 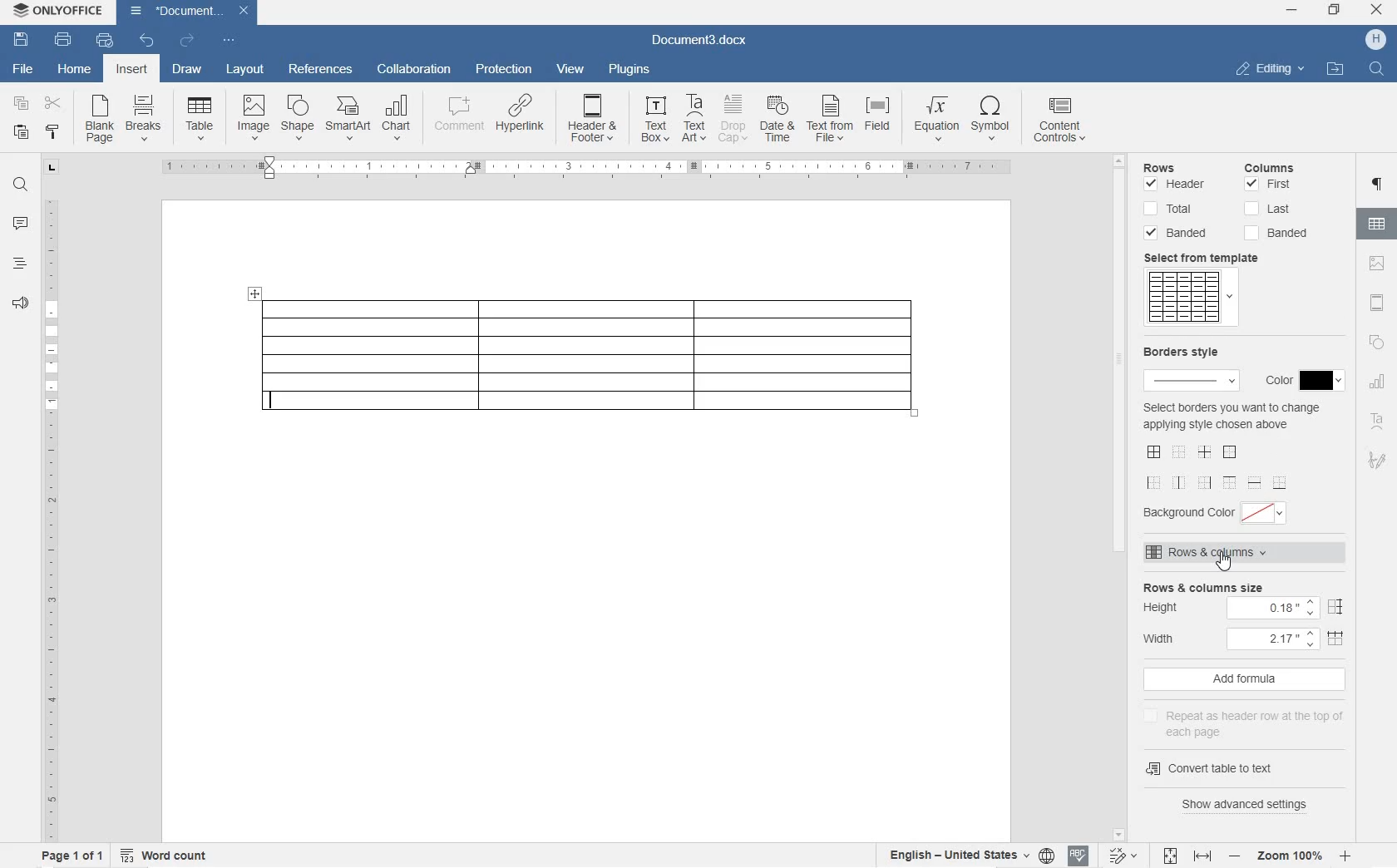 I want to click on show advanced settings, so click(x=1246, y=806).